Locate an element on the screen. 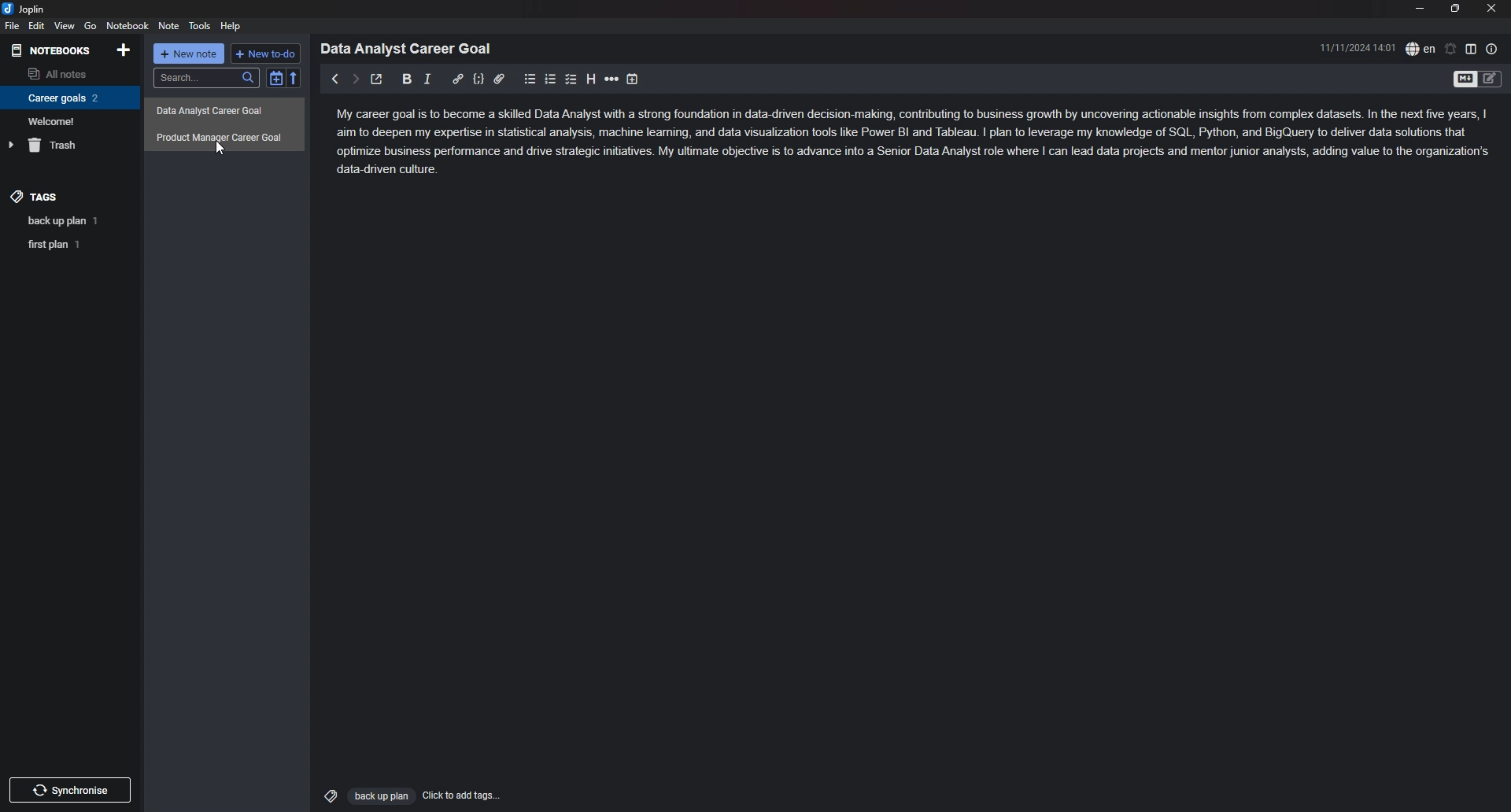 Image resolution: width=1511 pixels, height=812 pixels. set alarm is located at coordinates (1451, 49).